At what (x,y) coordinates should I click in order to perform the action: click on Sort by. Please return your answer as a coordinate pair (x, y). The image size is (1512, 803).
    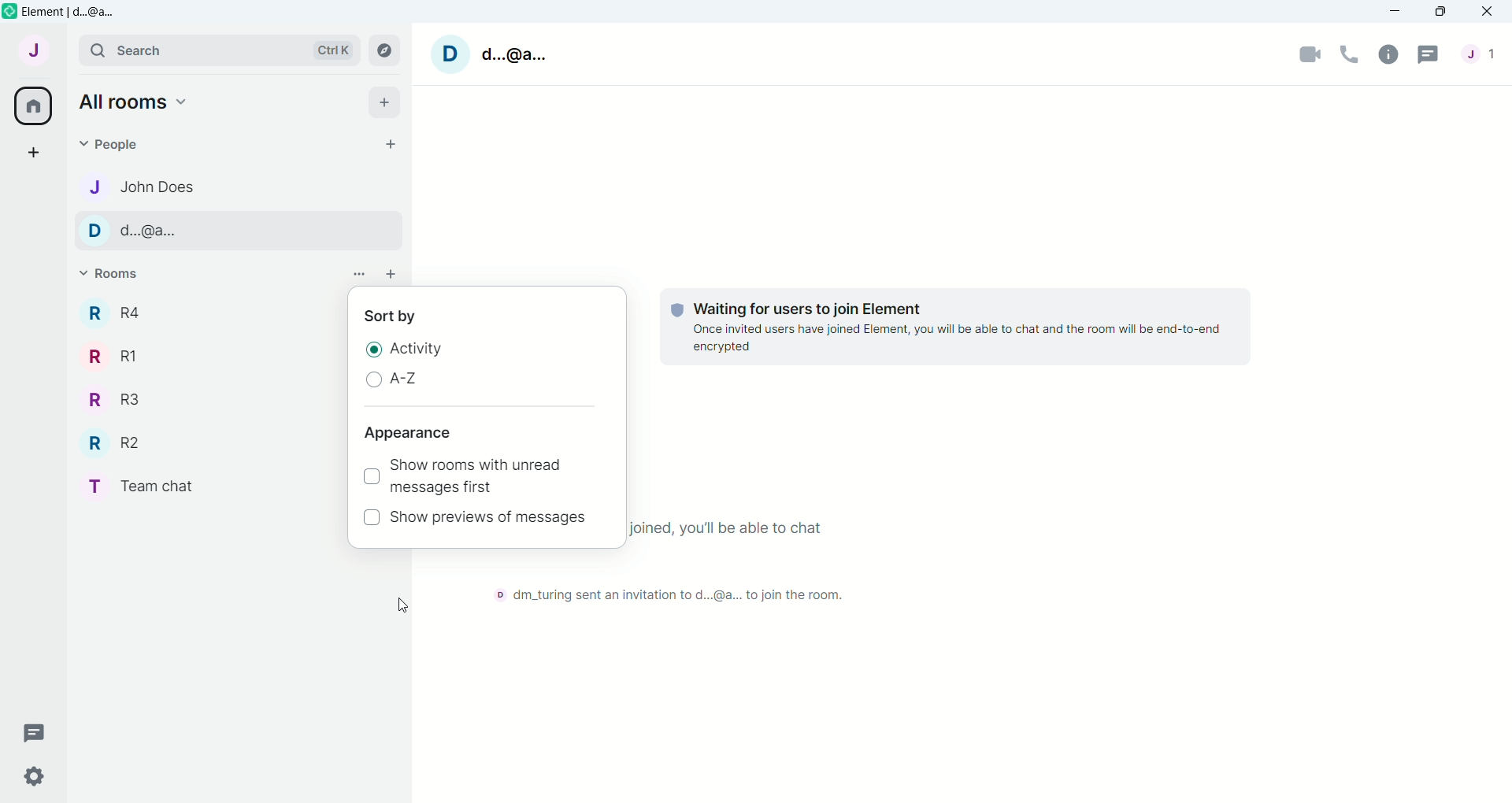
    Looking at the image, I should click on (391, 316).